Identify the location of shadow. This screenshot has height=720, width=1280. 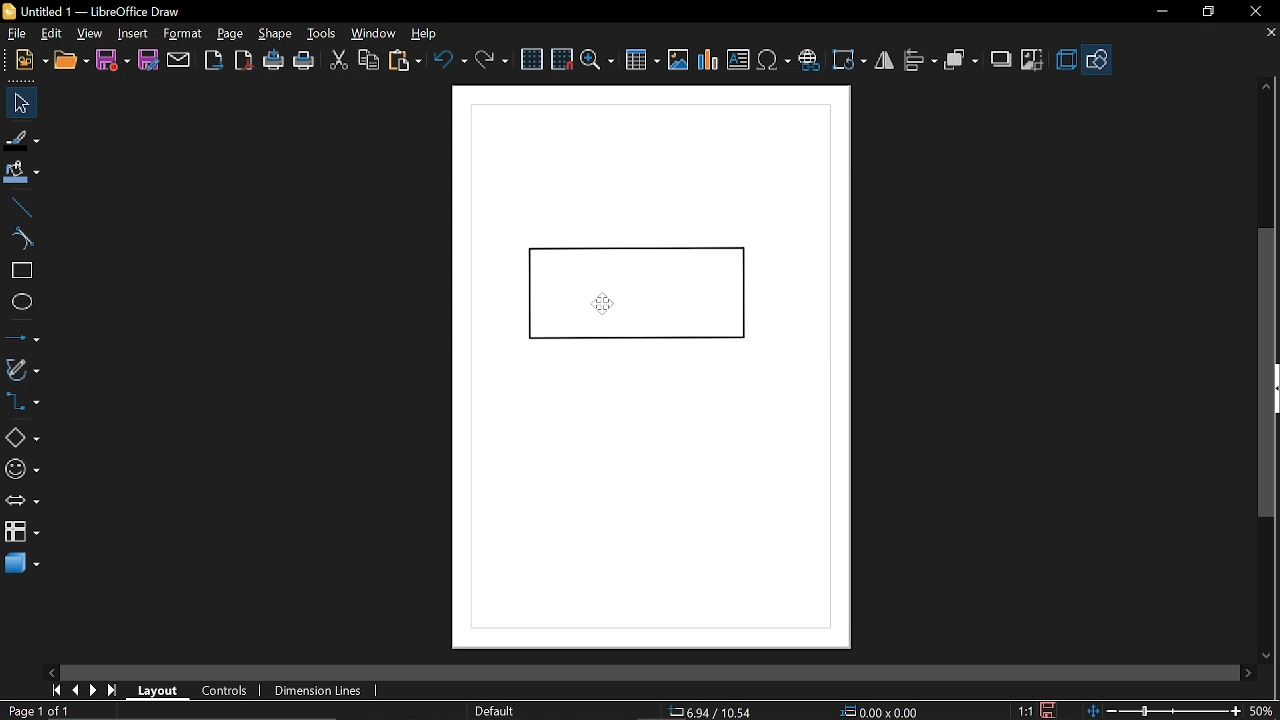
(1001, 60).